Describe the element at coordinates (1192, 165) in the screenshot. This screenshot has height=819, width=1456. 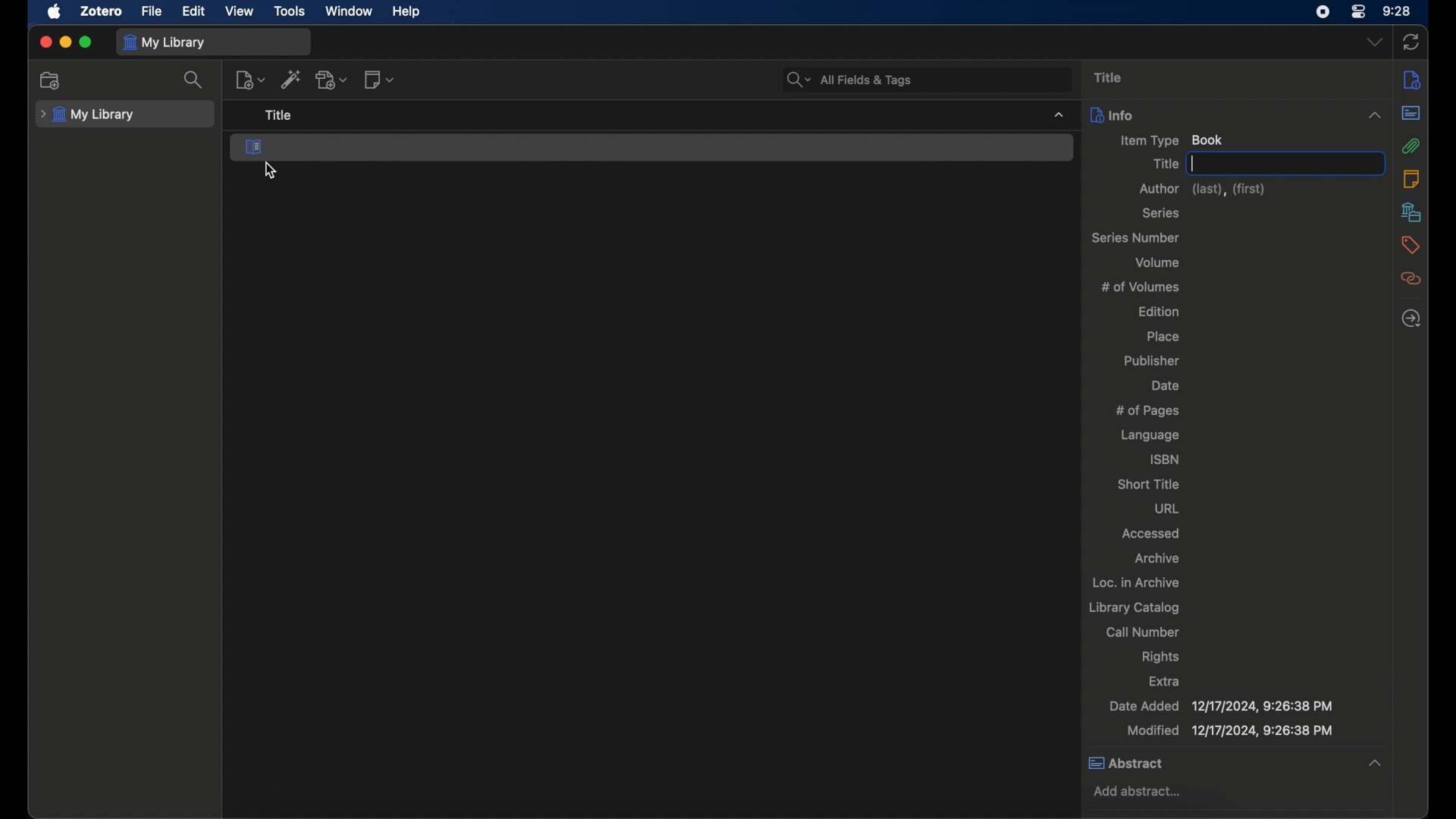
I see `text cursor` at that location.